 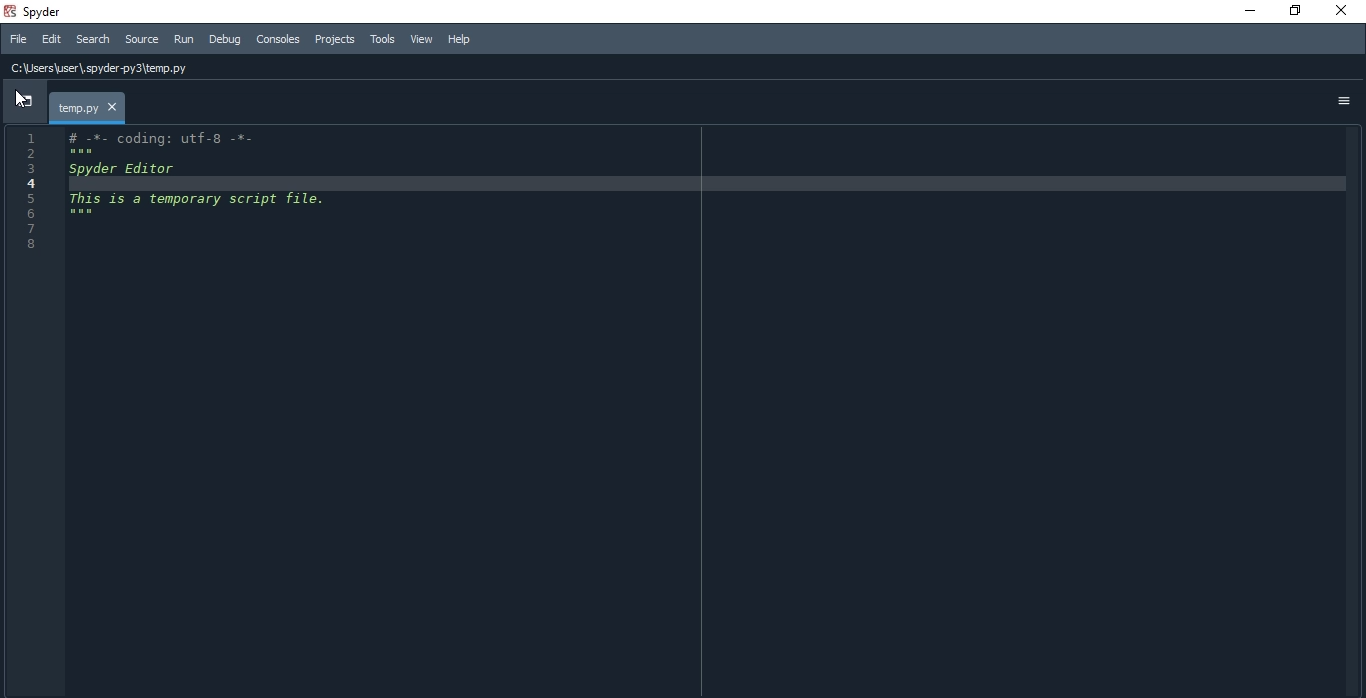 What do you see at coordinates (55, 183) in the screenshot?
I see `4` at bounding box center [55, 183].